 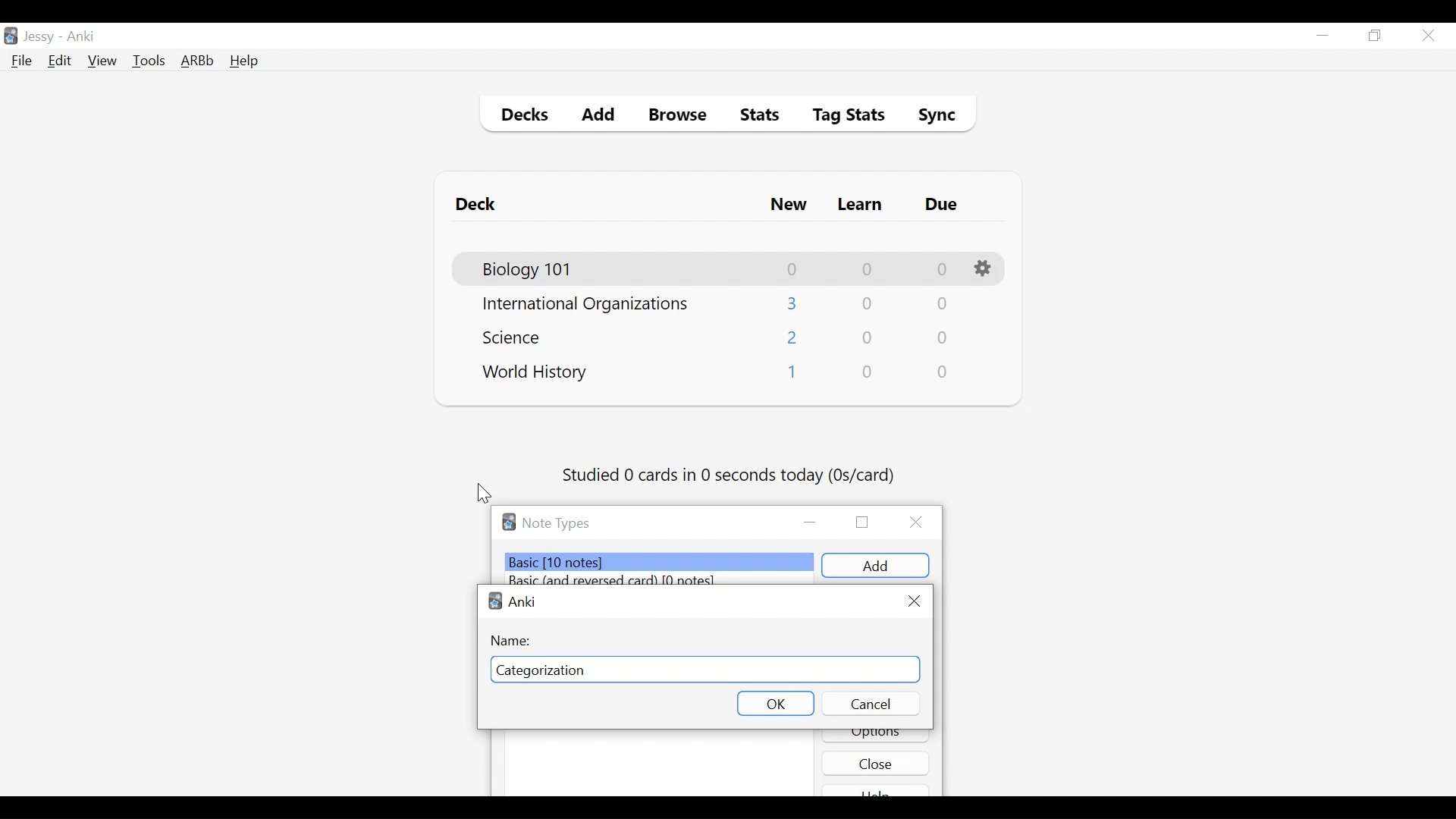 I want to click on , so click(x=868, y=372).